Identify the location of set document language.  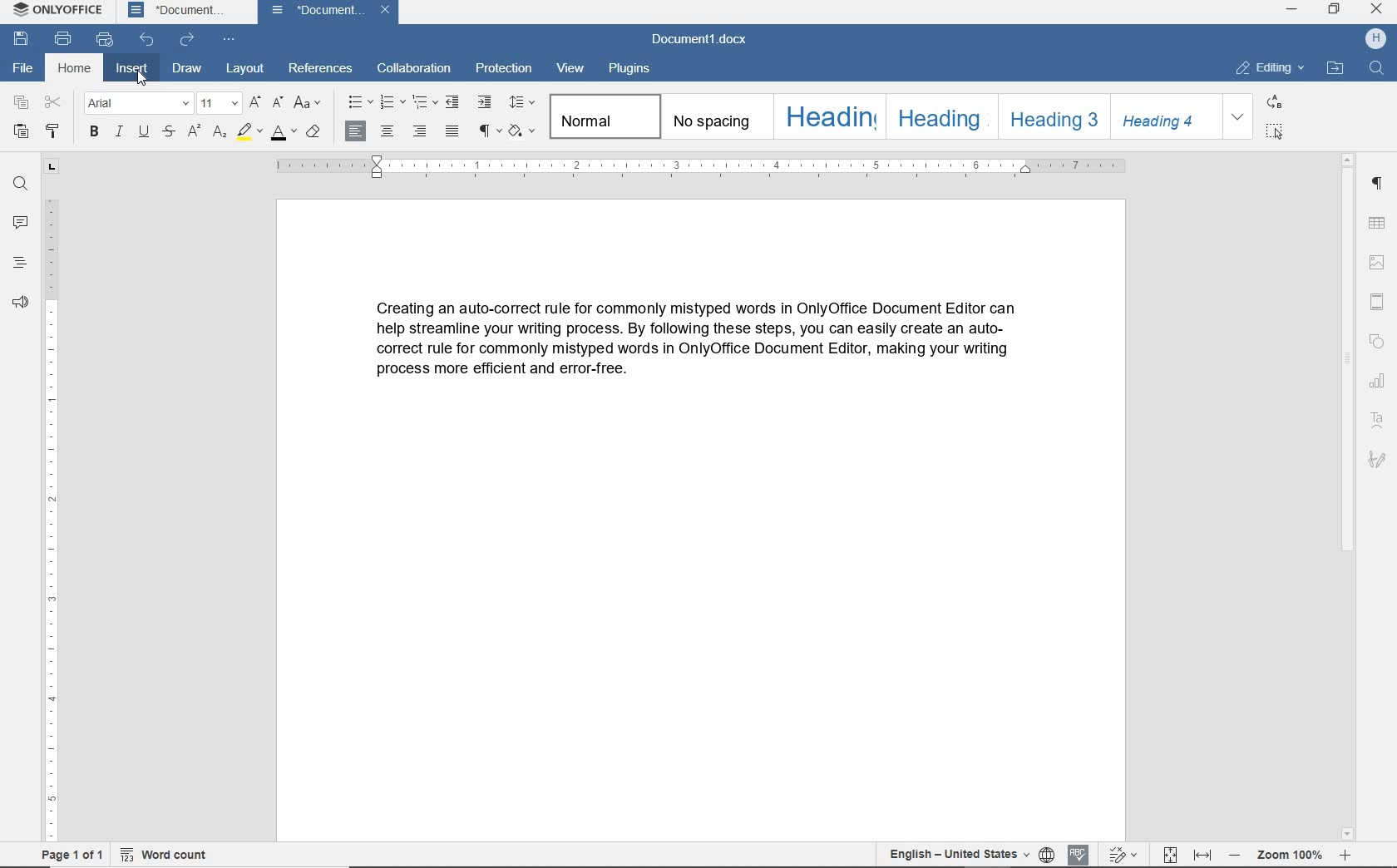
(1047, 854).